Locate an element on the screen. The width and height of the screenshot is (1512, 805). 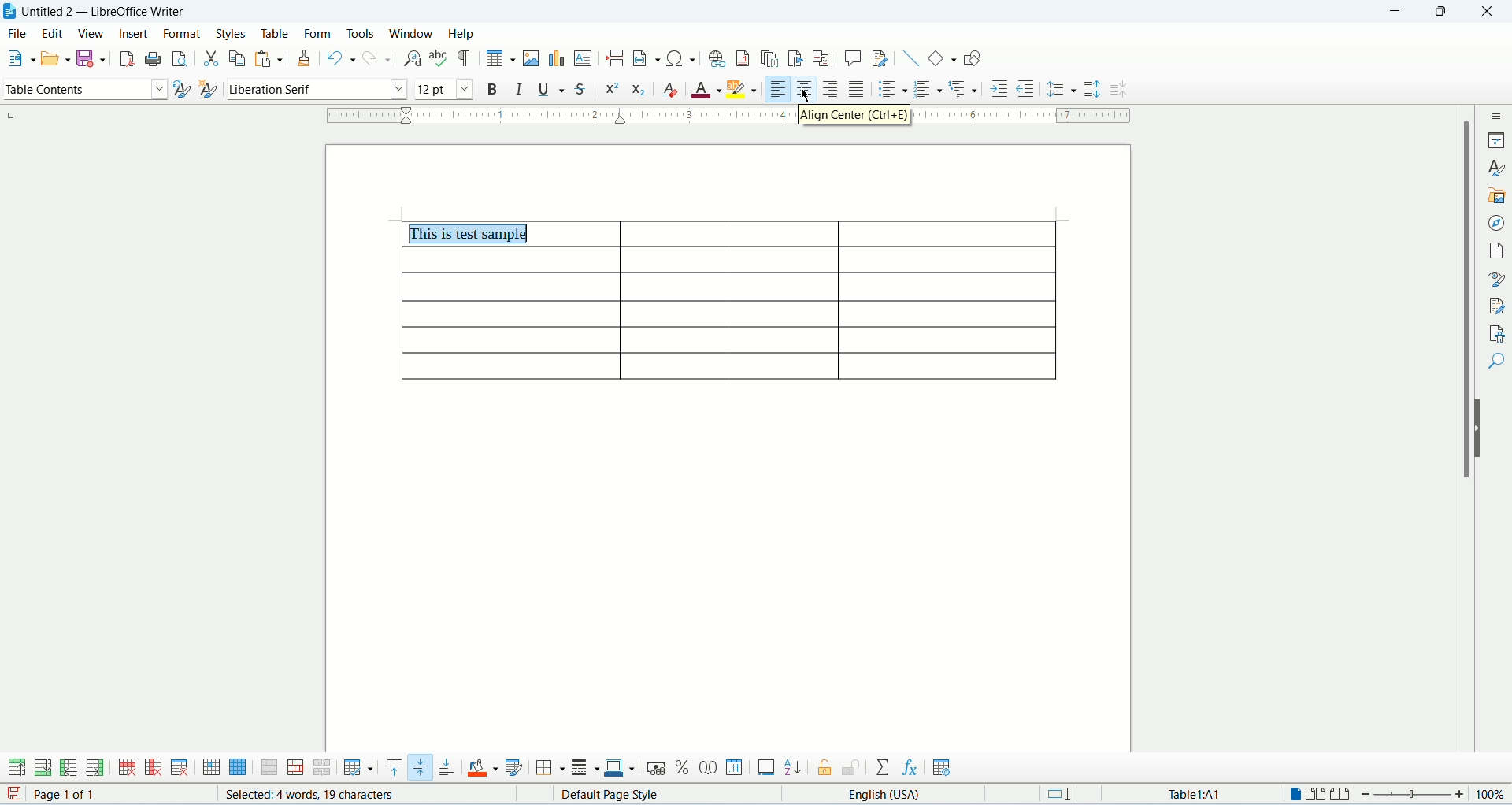
open is located at coordinates (56, 59).